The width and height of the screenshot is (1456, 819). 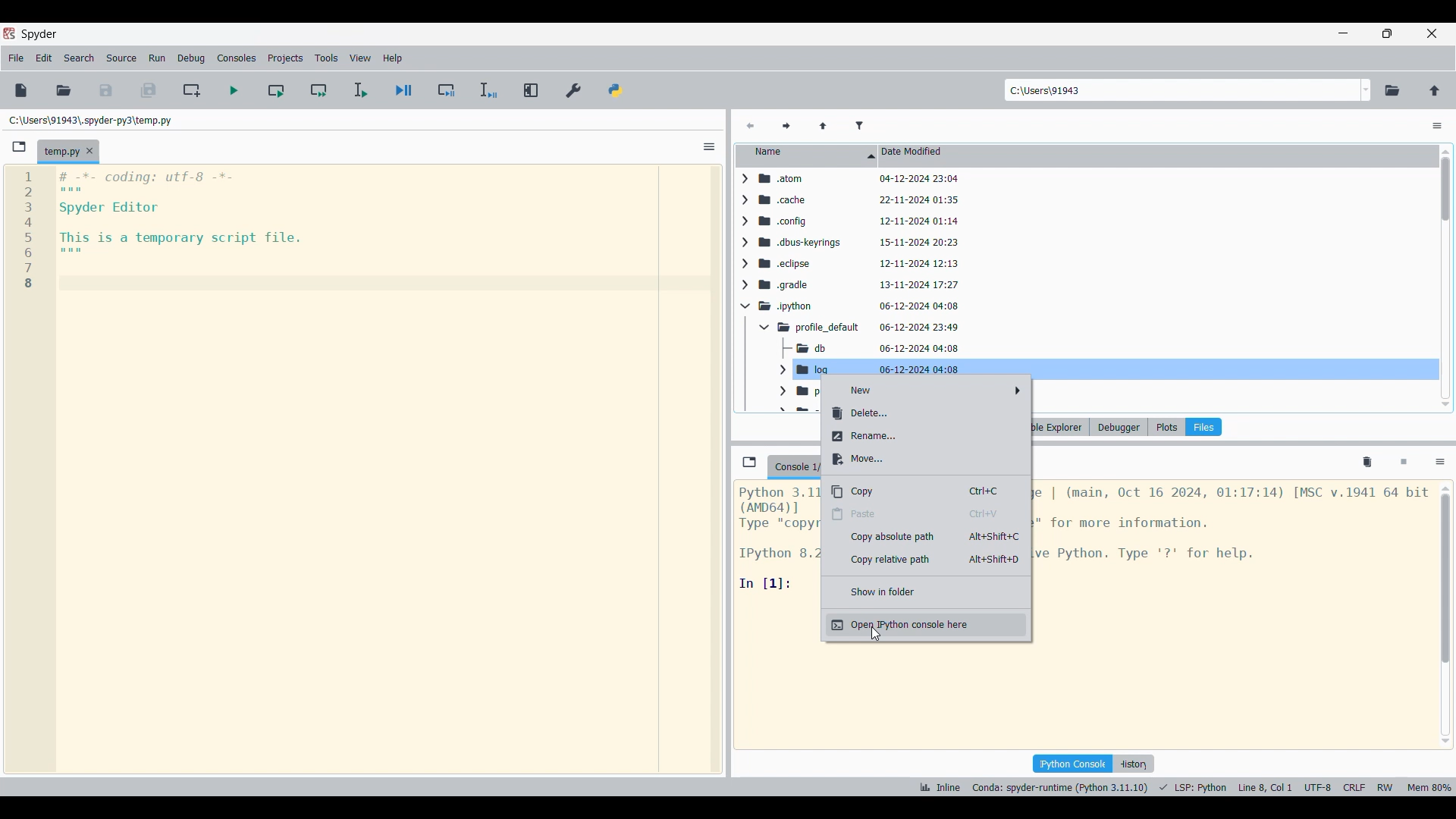 I want to click on Change to parent directory, so click(x=1435, y=91).